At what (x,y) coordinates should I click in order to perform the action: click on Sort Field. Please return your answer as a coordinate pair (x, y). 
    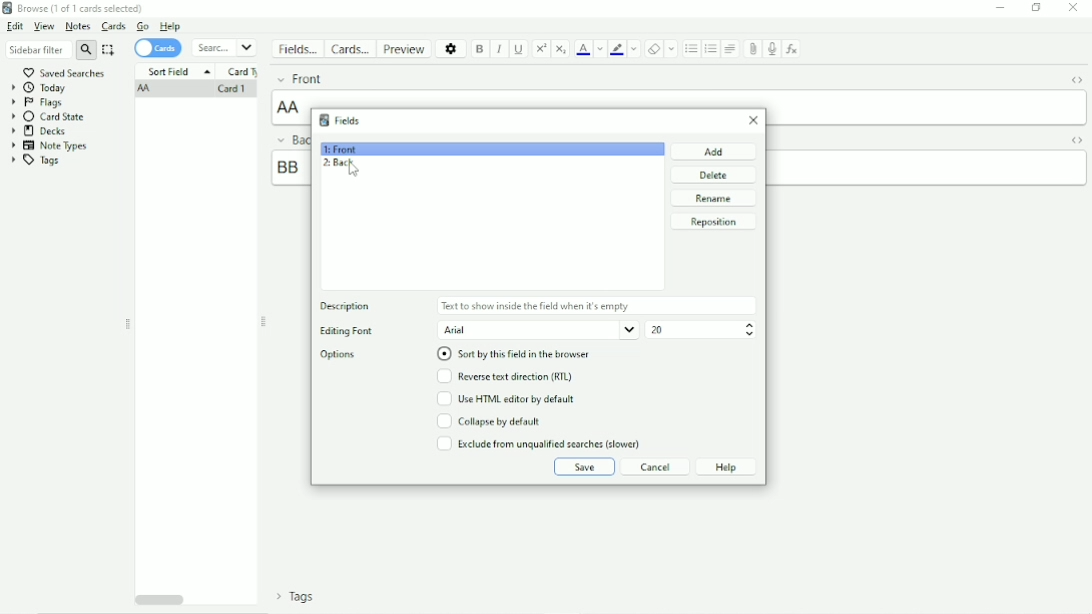
    Looking at the image, I should click on (178, 71).